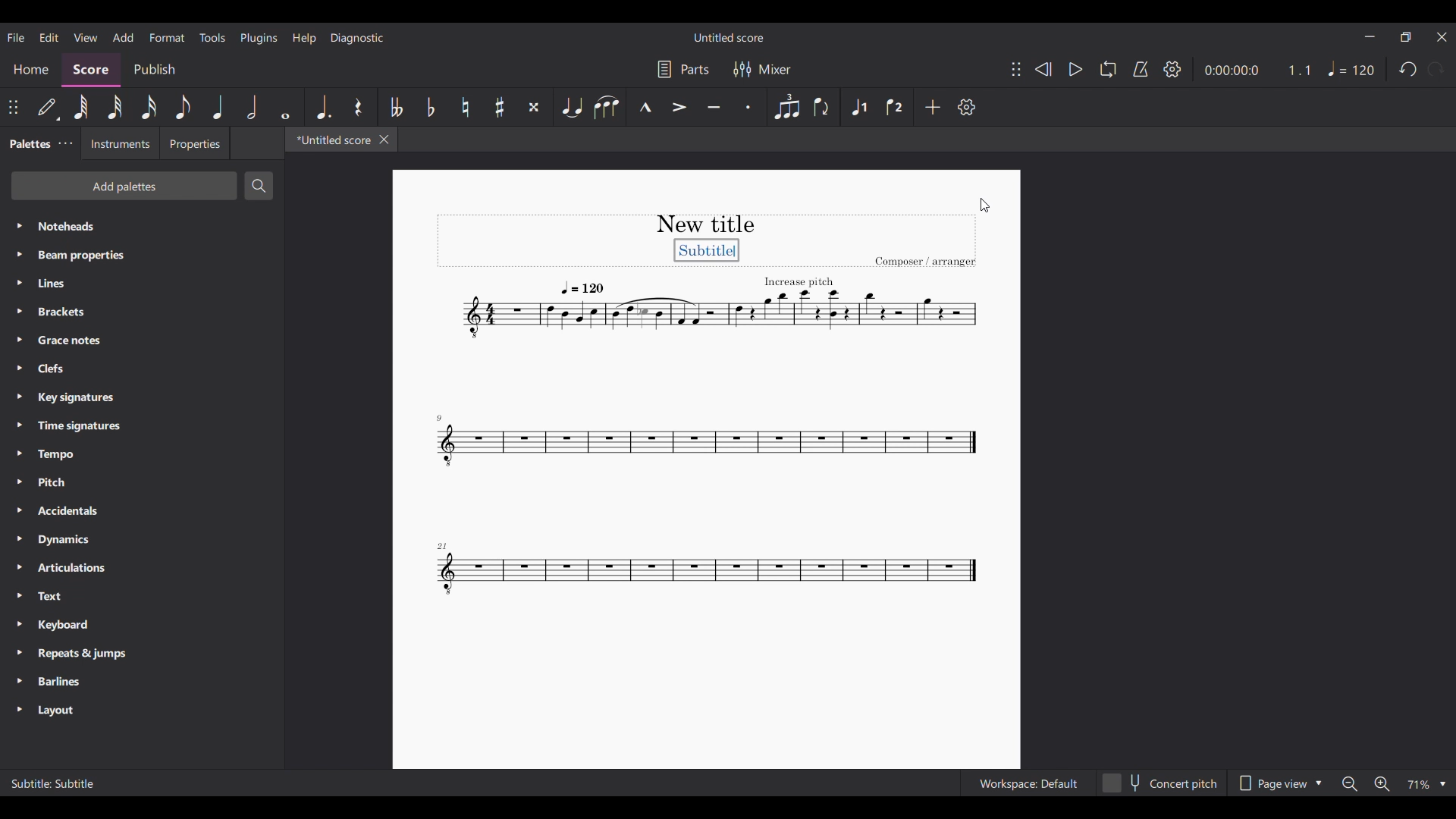  Describe the element at coordinates (1382, 783) in the screenshot. I see `Zoom in` at that location.